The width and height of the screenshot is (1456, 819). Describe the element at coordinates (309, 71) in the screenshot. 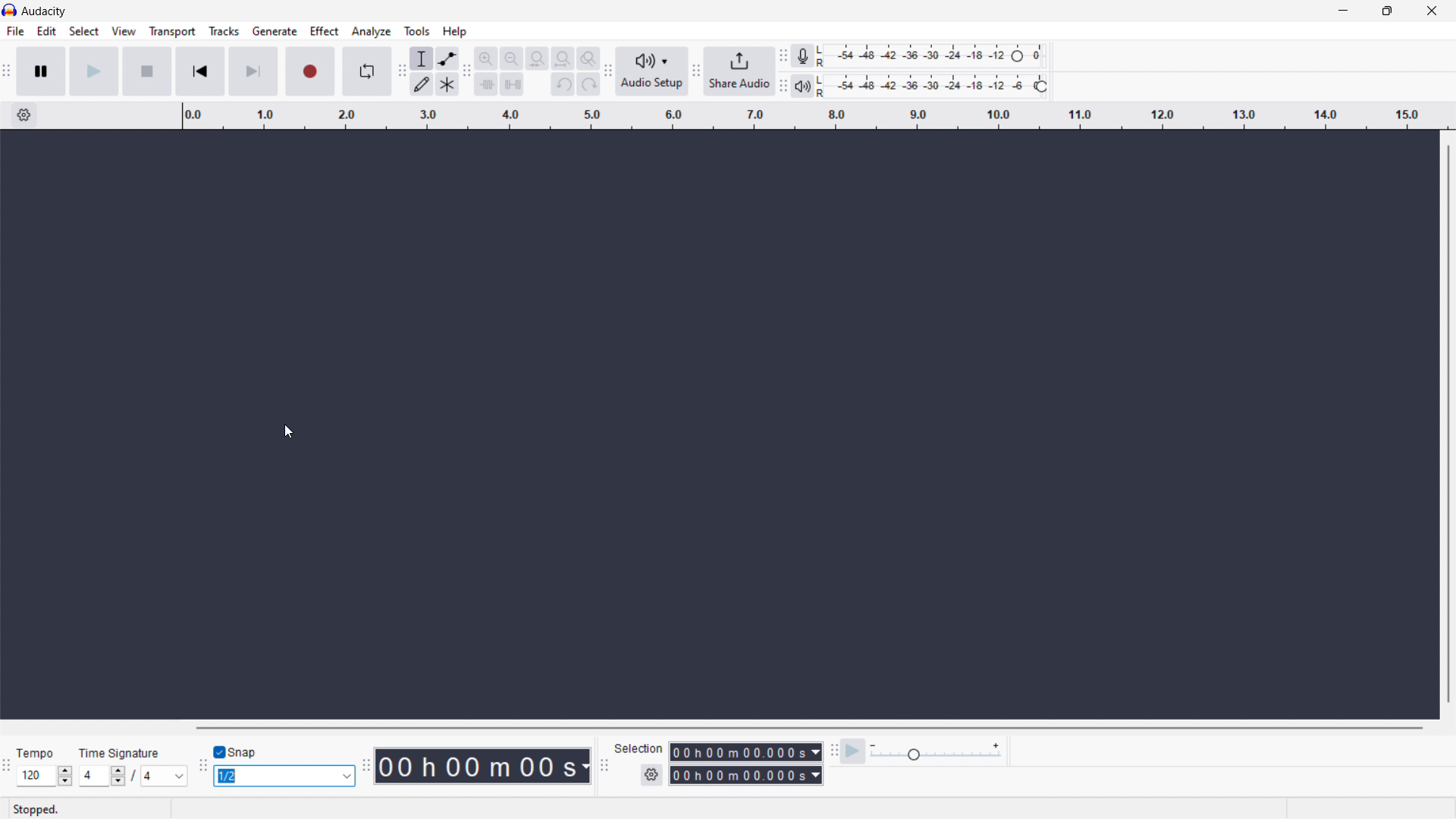

I see `record` at that location.